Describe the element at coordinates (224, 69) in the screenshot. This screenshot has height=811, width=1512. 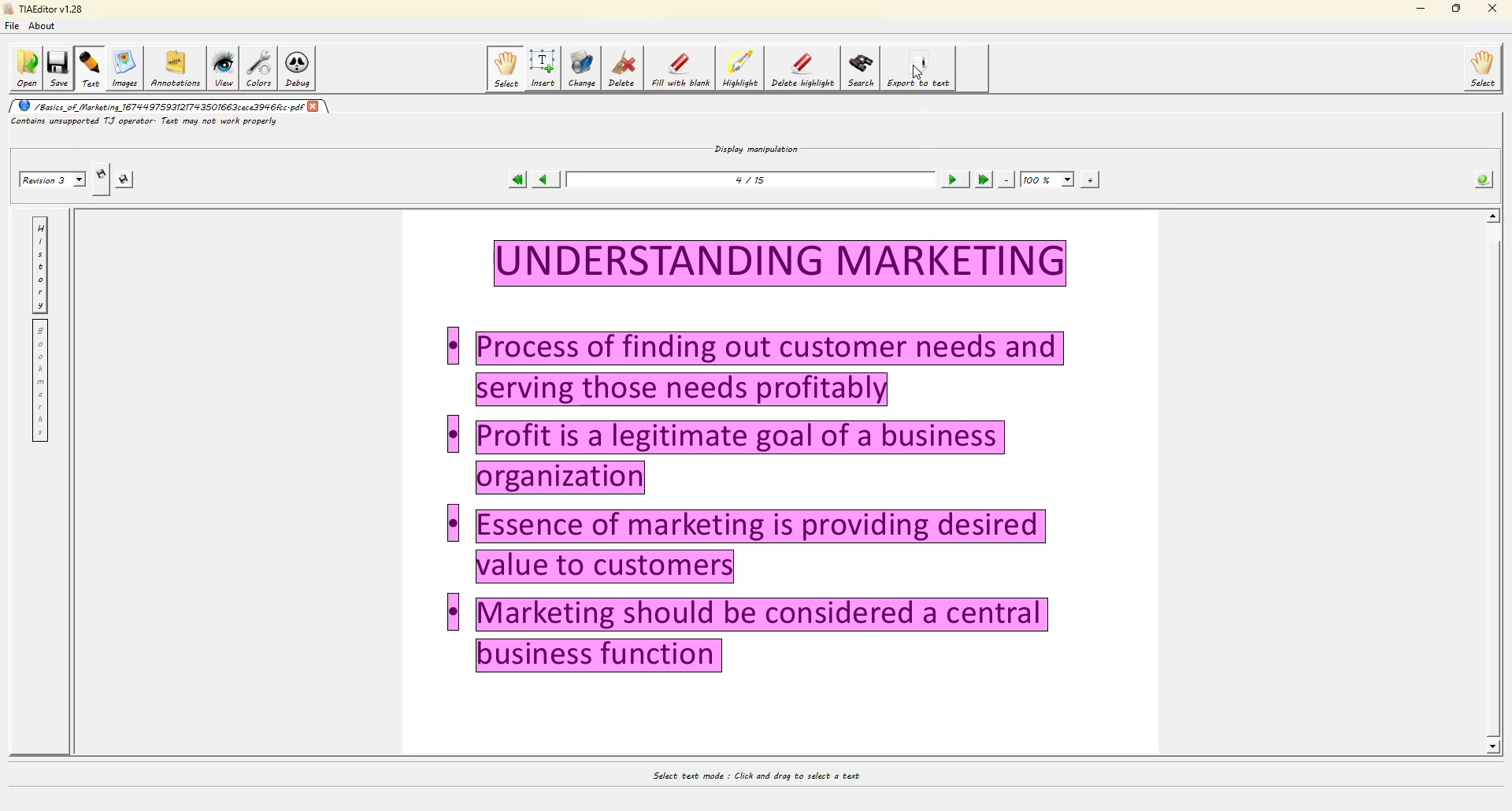
I see `view` at that location.